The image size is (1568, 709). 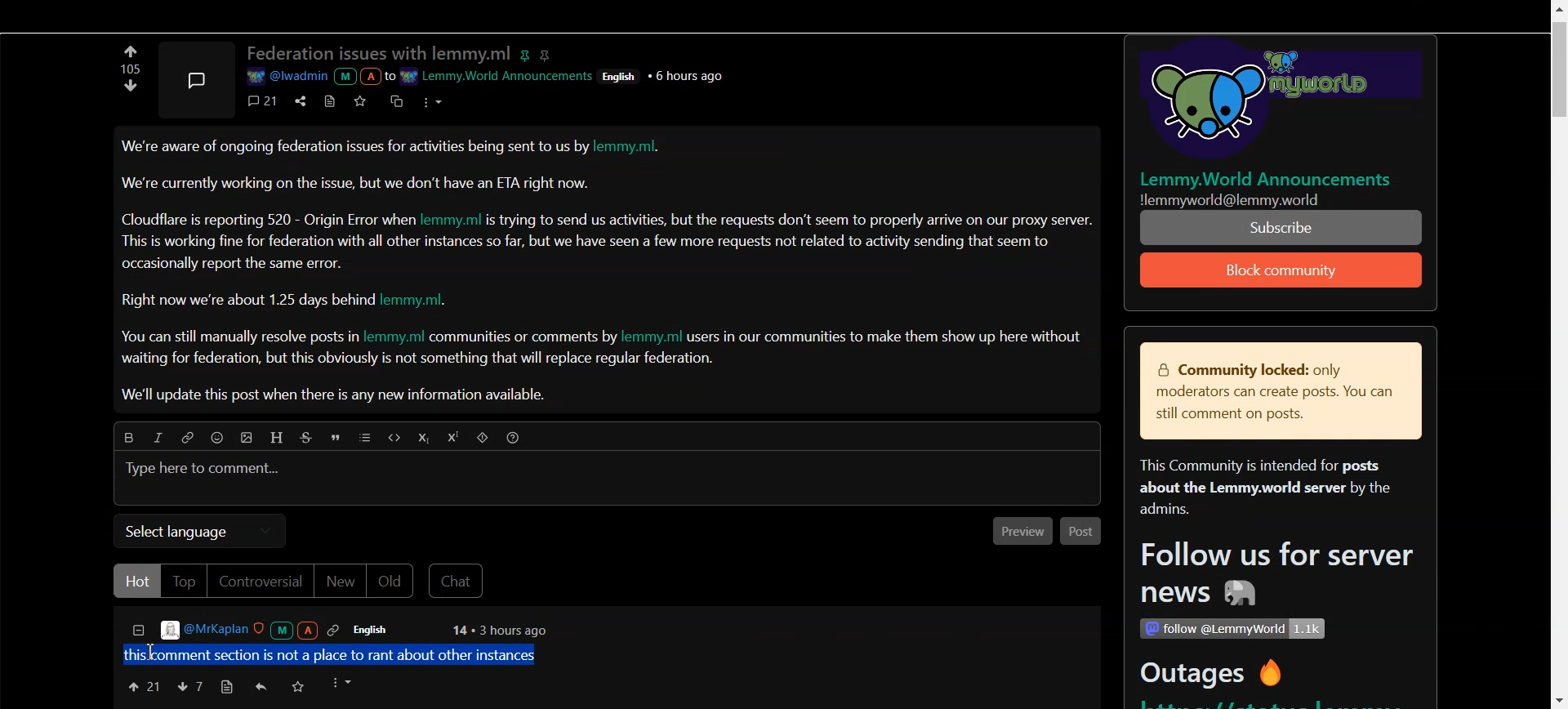 What do you see at coordinates (499, 74) in the screenshot?
I see `wr Lemmy.World Announcement:` at bounding box center [499, 74].